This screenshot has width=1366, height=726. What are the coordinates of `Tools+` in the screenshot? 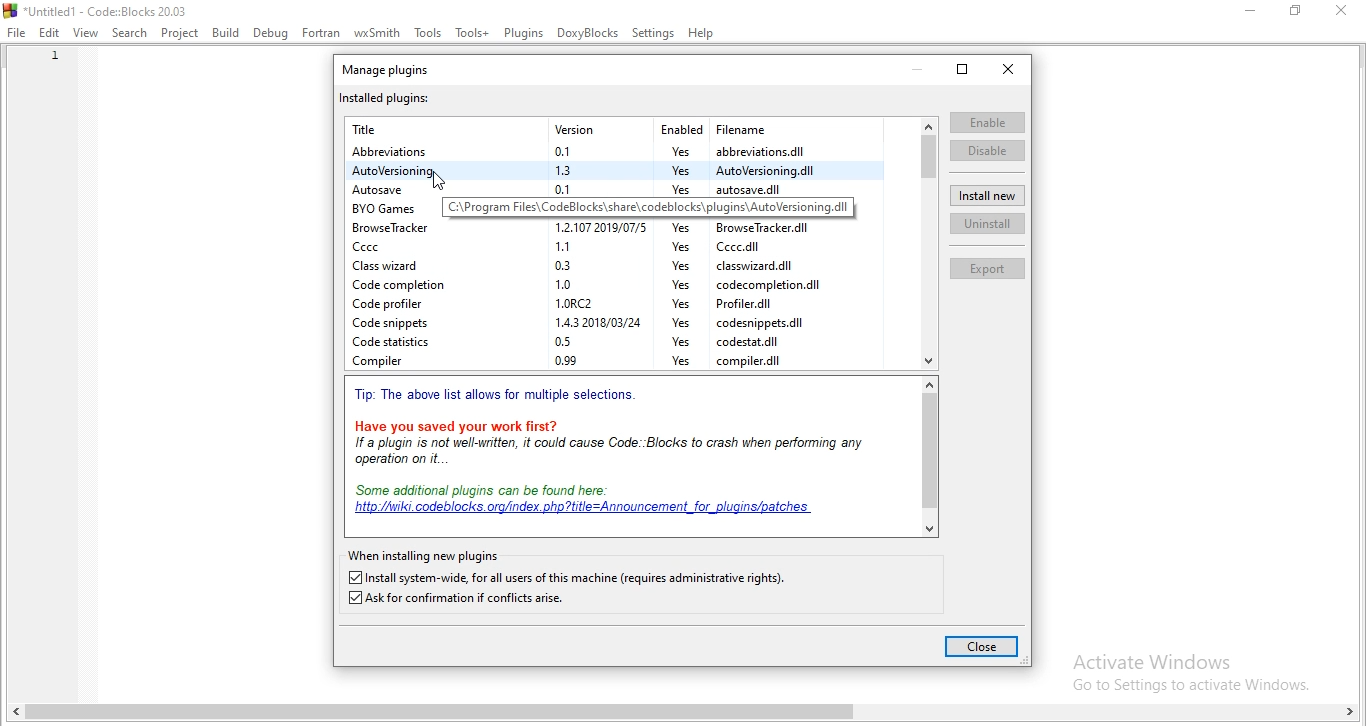 It's located at (472, 31).